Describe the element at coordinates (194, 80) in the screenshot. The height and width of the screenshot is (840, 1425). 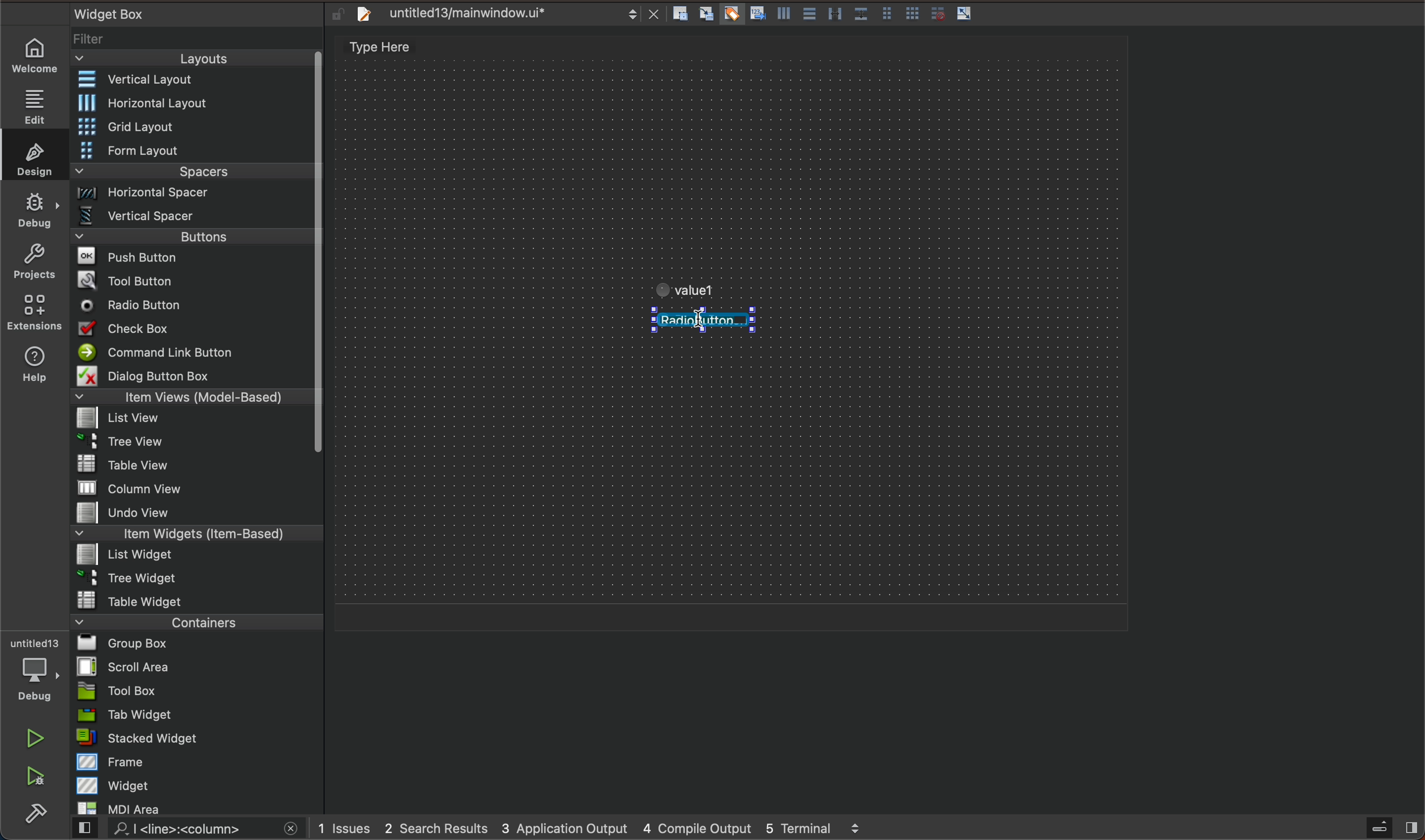
I see `Vertical layout ` at that location.